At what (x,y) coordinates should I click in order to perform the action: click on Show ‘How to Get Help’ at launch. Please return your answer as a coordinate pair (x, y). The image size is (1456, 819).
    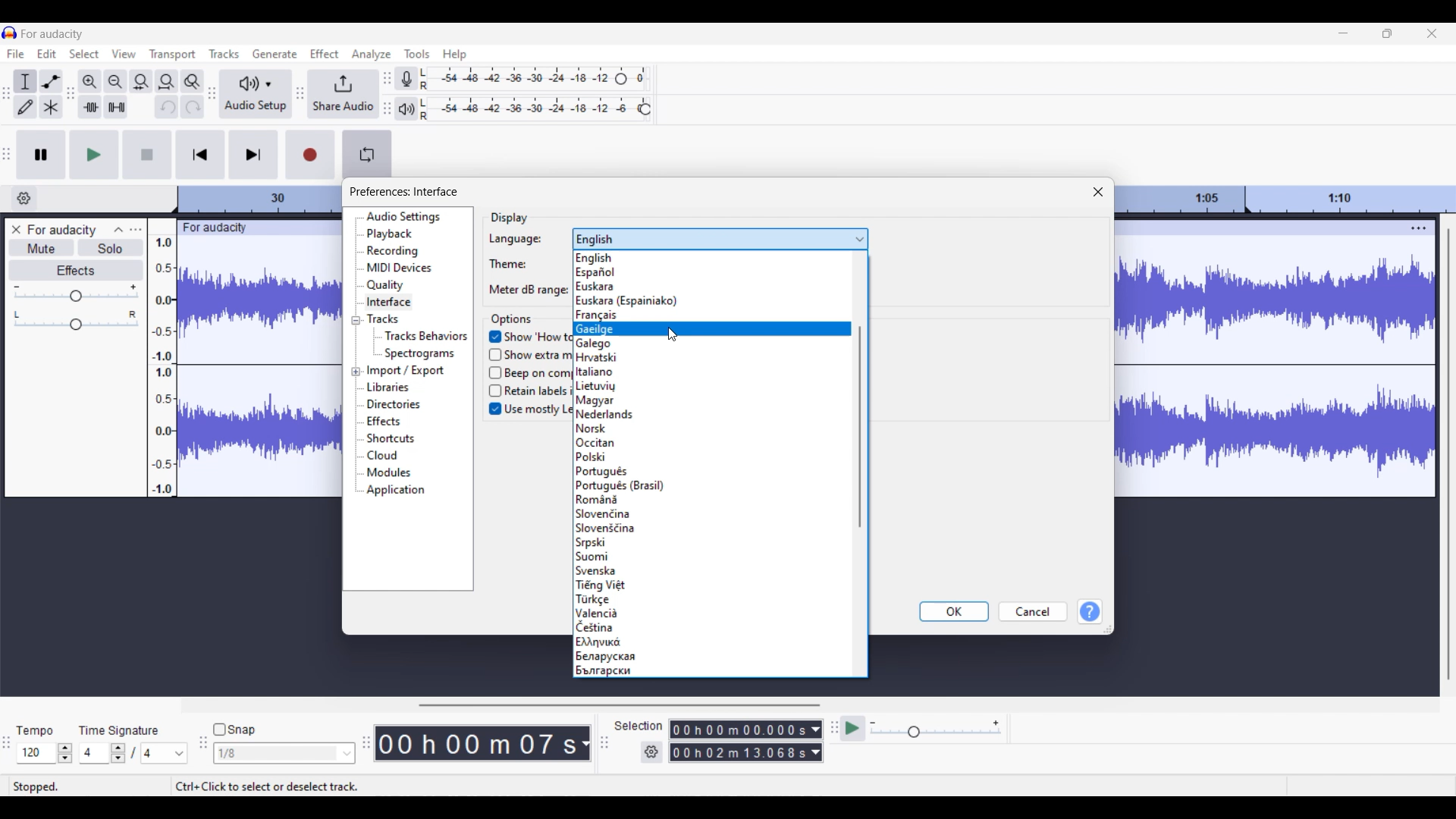
    Looking at the image, I should click on (525, 337).